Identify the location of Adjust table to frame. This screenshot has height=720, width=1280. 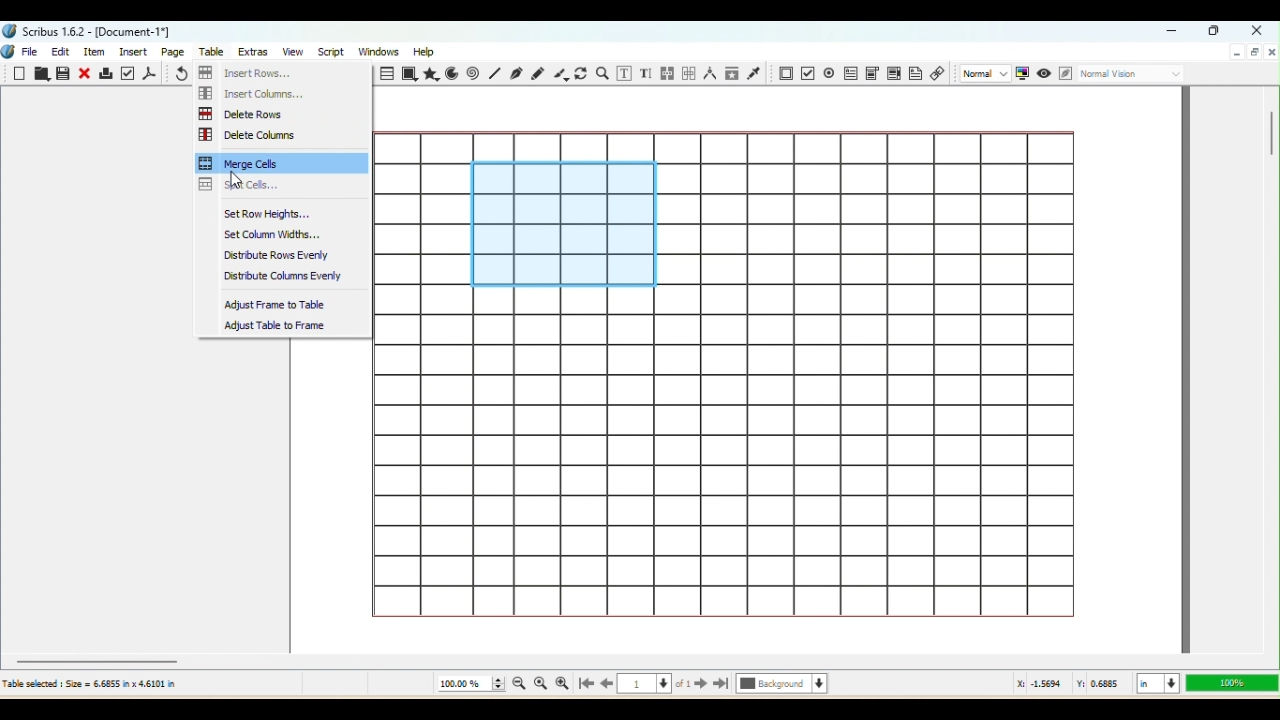
(281, 324).